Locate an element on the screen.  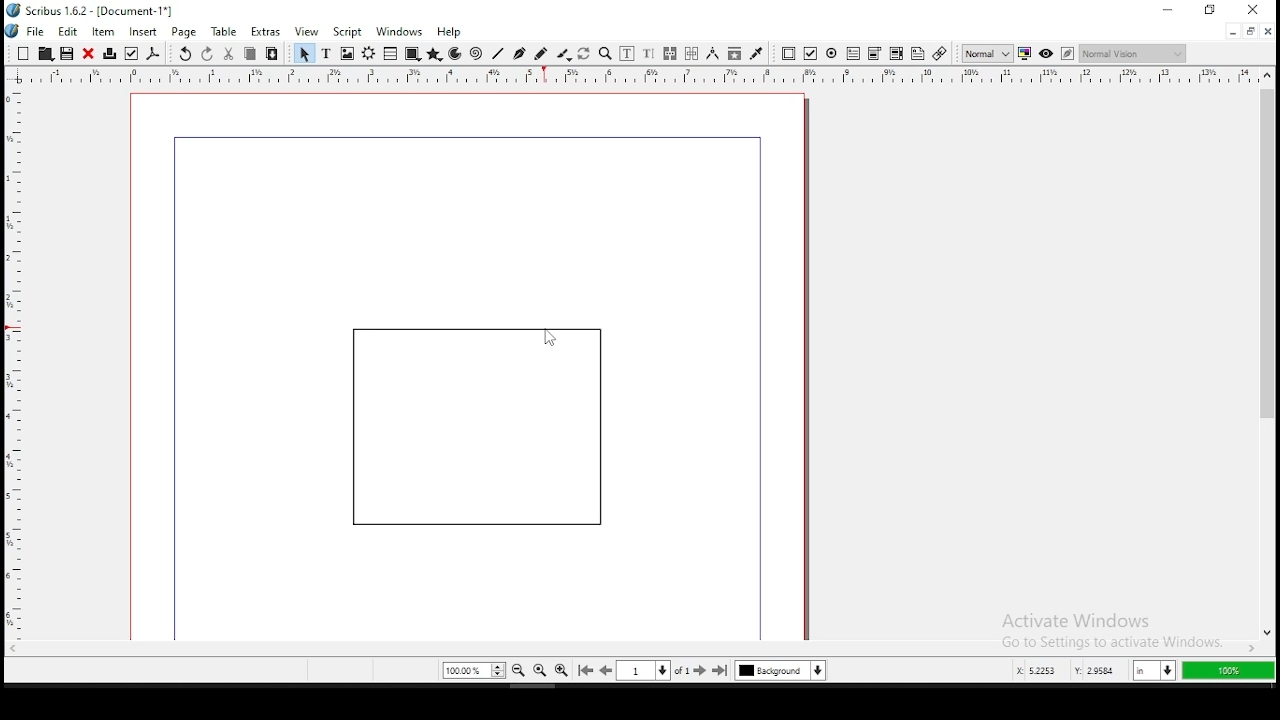
link annotation is located at coordinates (939, 53).